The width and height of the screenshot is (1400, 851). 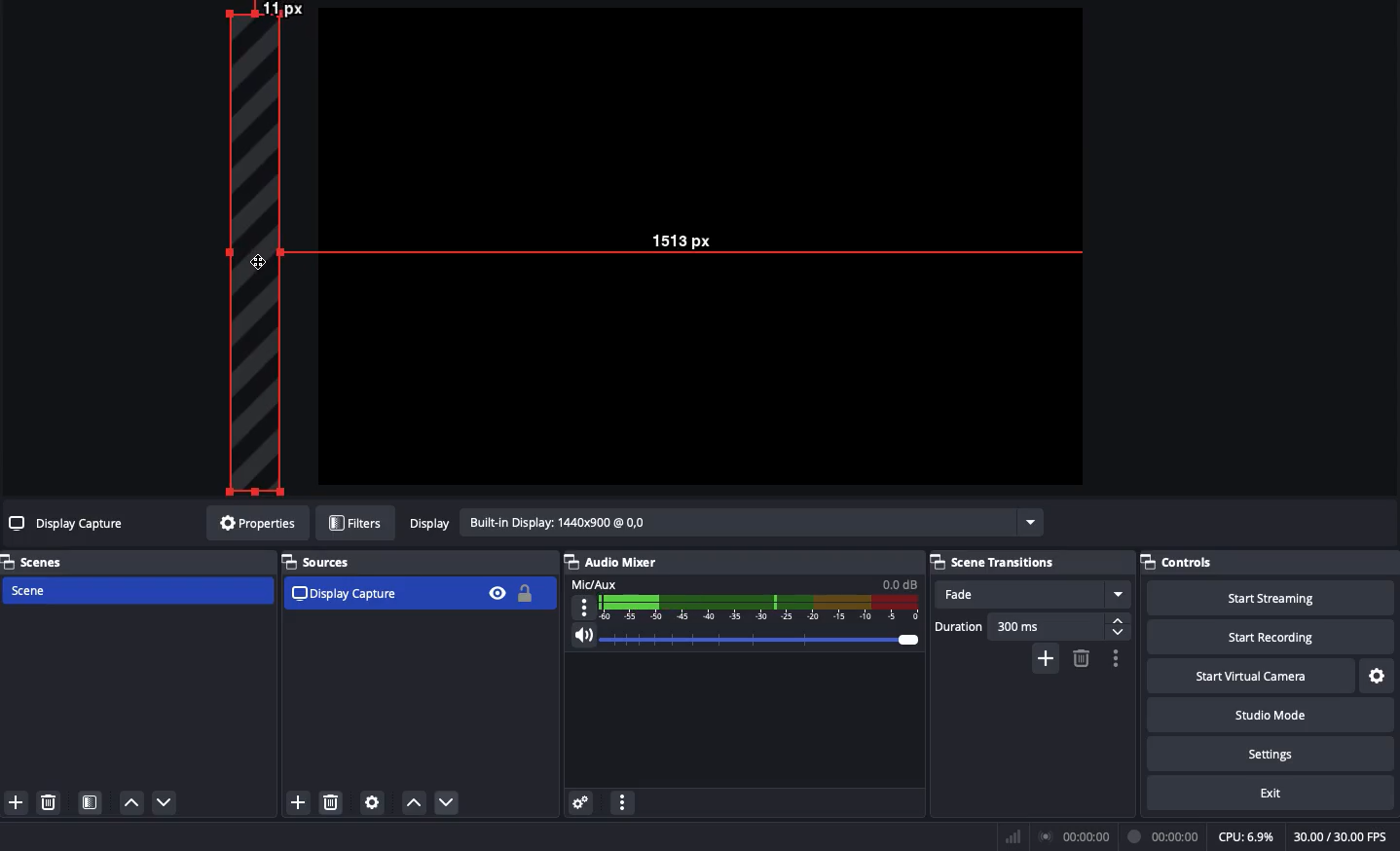 What do you see at coordinates (1270, 562) in the screenshot?
I see `Controls` at bounding box center [1270, 562].